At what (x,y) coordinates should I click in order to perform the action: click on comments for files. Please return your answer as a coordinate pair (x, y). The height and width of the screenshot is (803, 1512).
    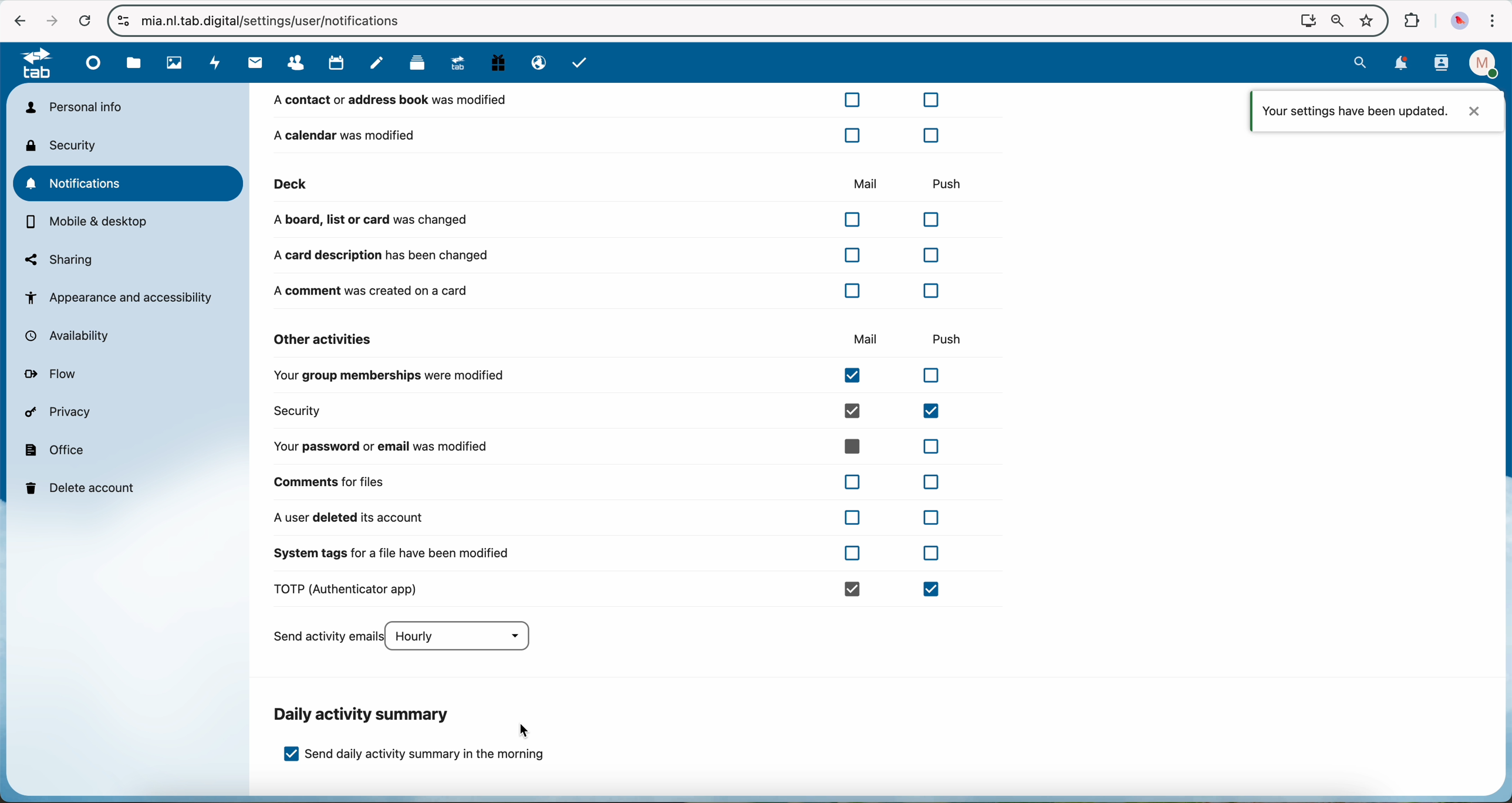
    Looking at the image, I should click on (612, 481).